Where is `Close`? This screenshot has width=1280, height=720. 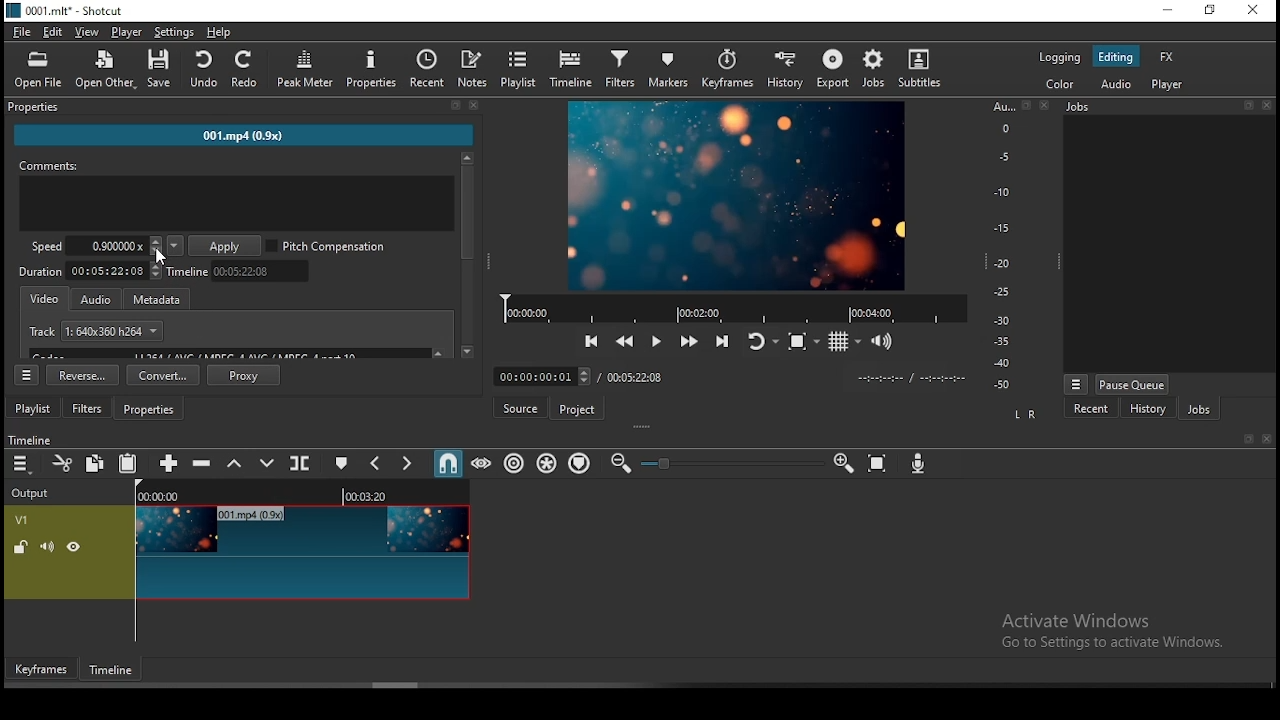 Close is located at coordinates (1046, 105).